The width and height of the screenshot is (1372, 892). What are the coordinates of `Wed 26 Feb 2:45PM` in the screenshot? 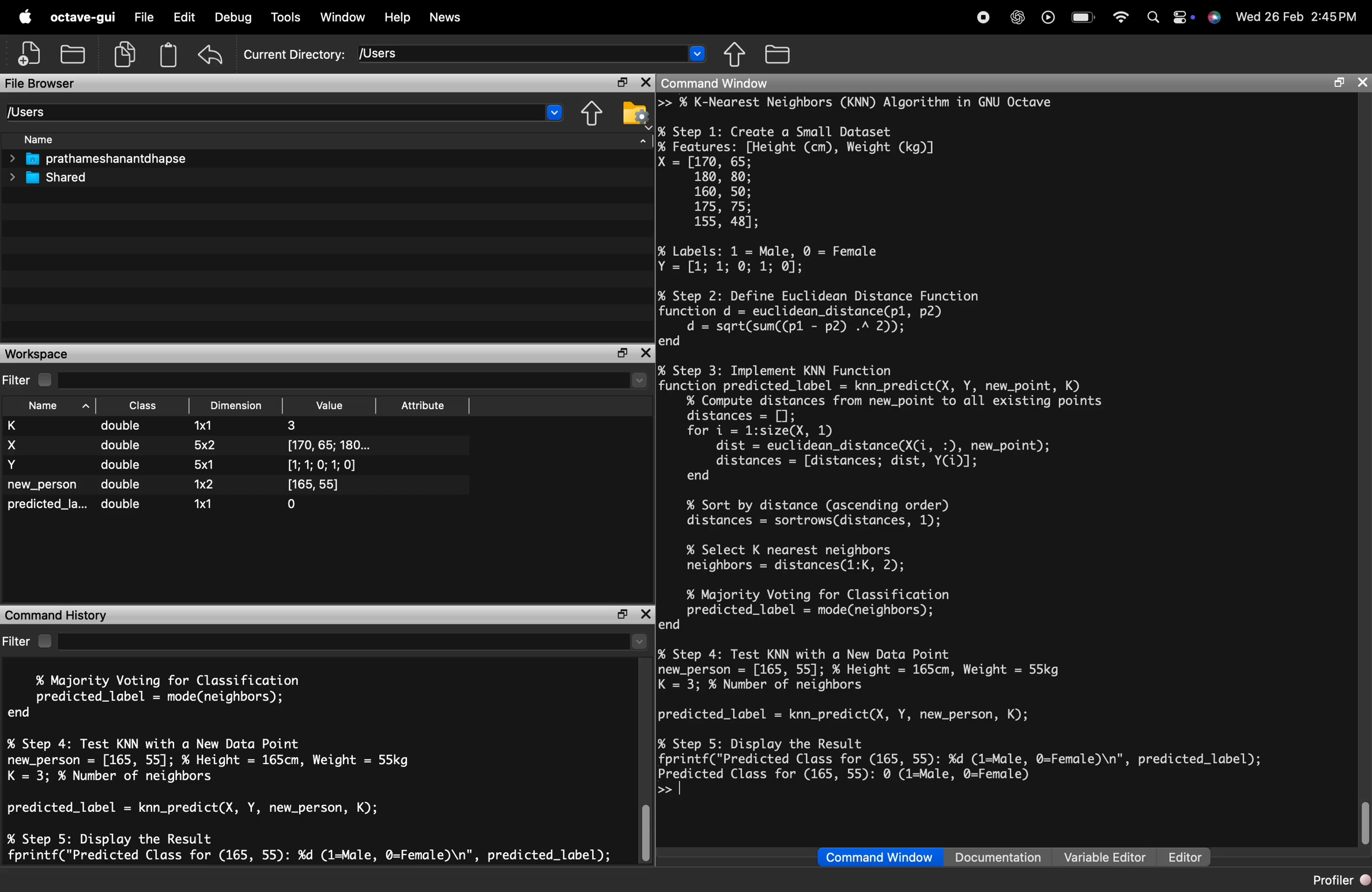 It's located at (1297, 17).